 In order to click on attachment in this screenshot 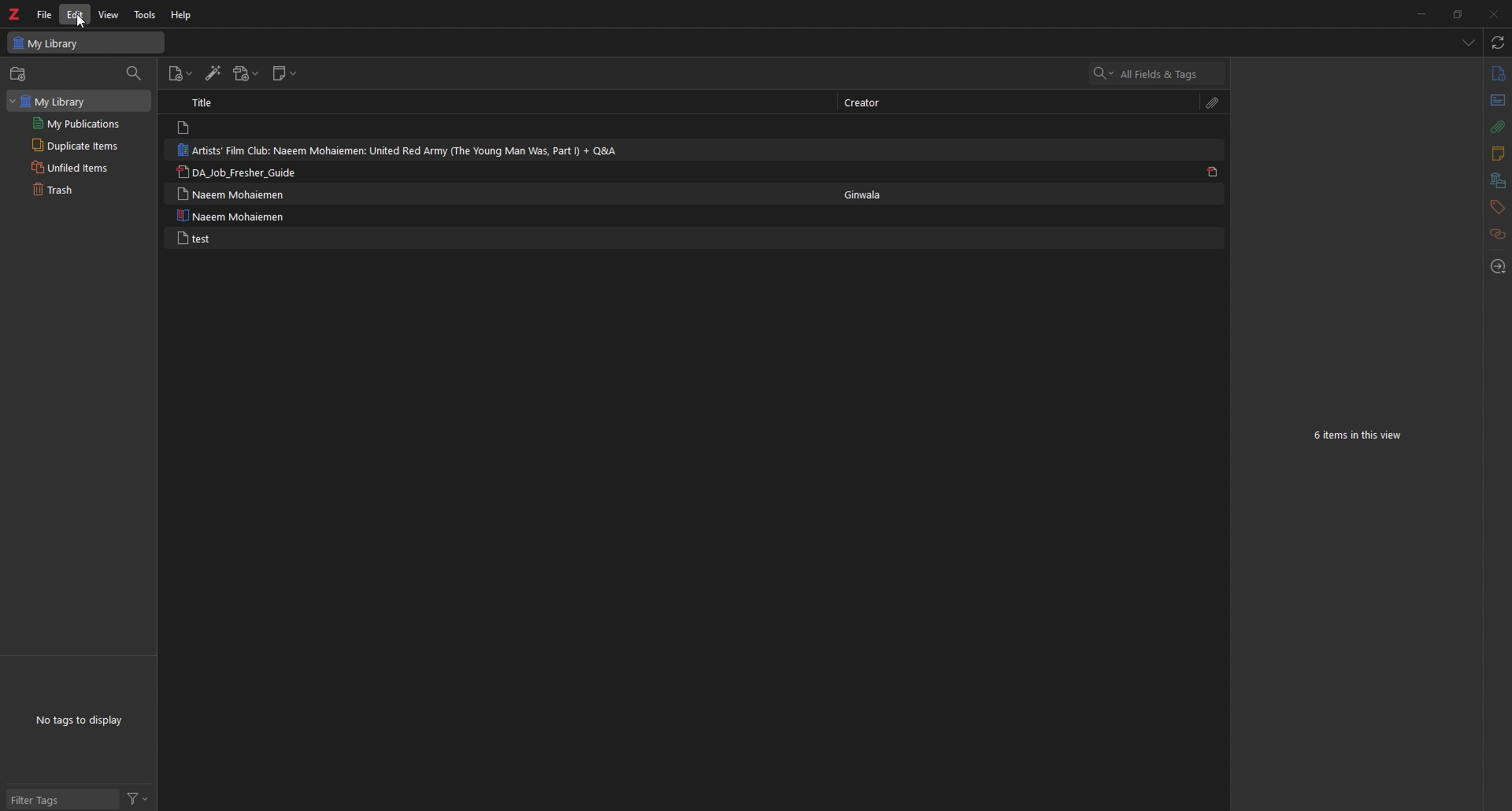, I will do `click(1213, 104)`.